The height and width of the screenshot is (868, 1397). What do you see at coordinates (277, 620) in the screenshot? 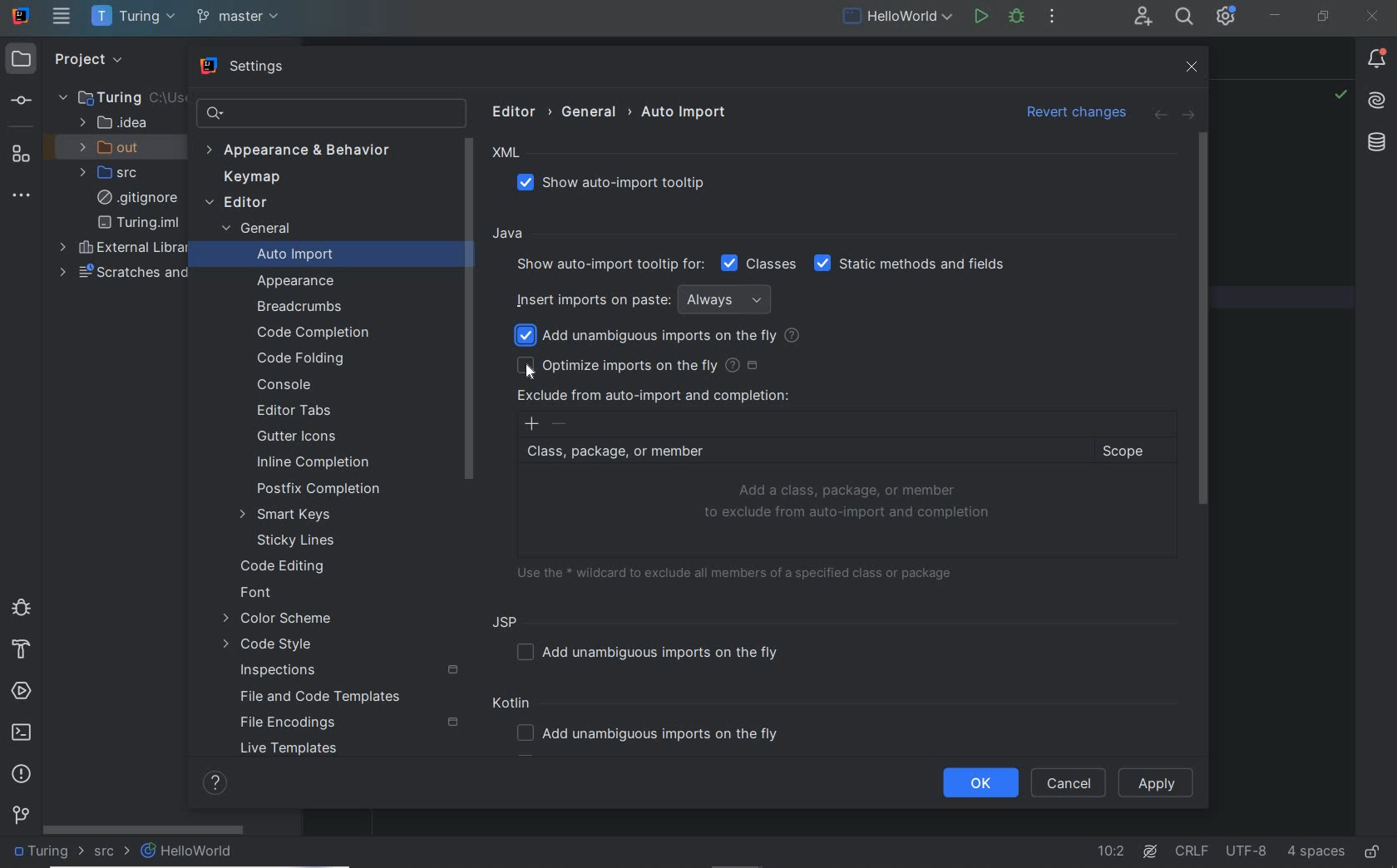
I see `COLOR SCHEME` at bounding box center [277, 620].